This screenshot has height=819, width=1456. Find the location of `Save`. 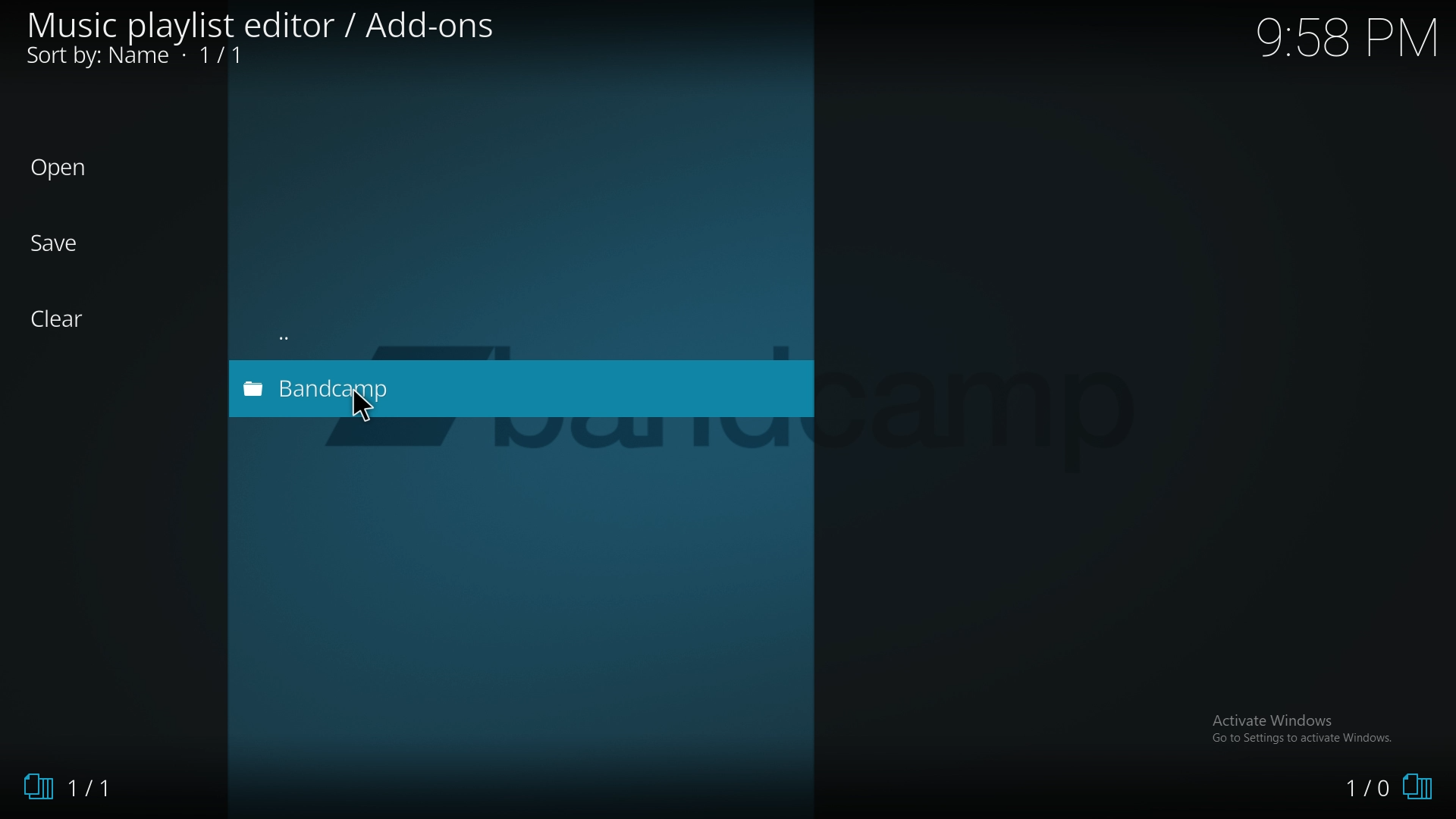

Save is located at coordinates (57, 244).